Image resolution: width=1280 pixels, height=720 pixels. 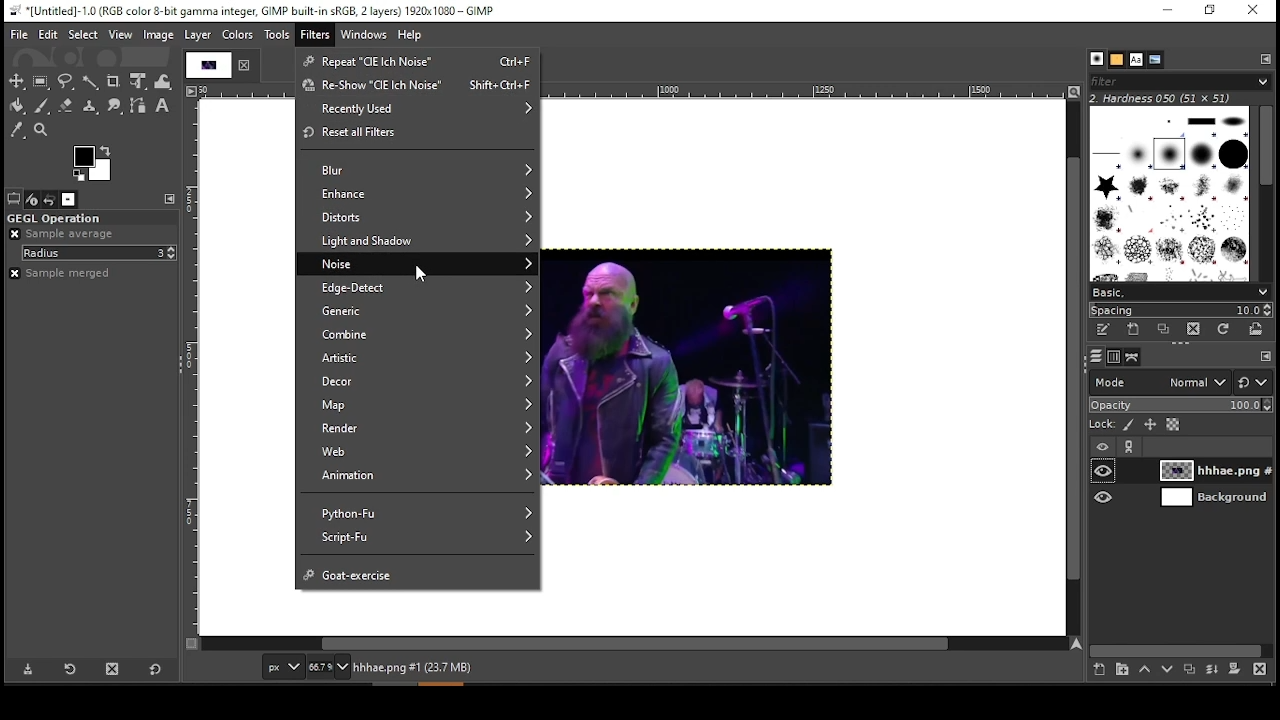 I want to click on blur, so click(x=416, y=169).